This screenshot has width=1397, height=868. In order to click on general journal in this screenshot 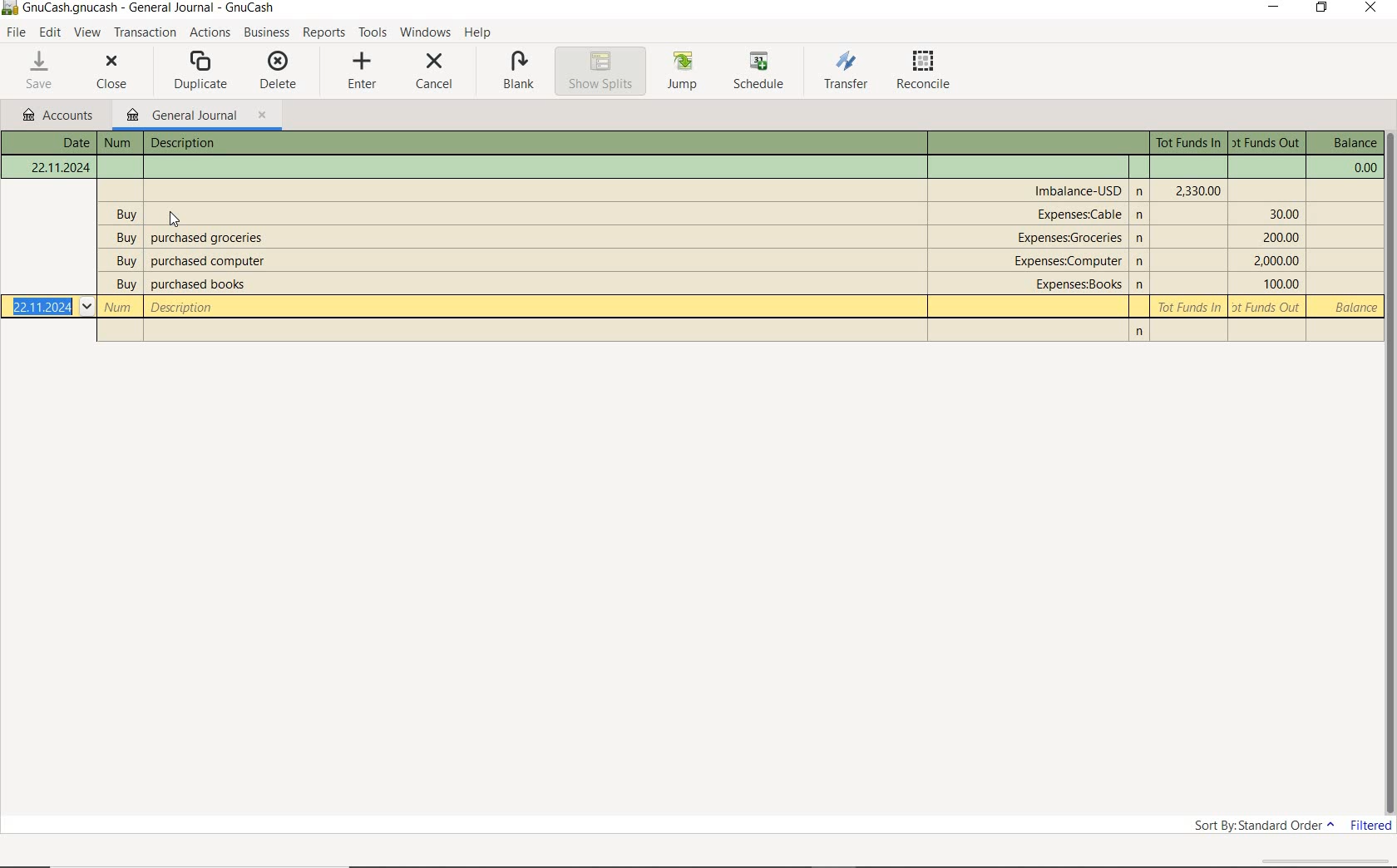, I will do `click(196, 116)`.